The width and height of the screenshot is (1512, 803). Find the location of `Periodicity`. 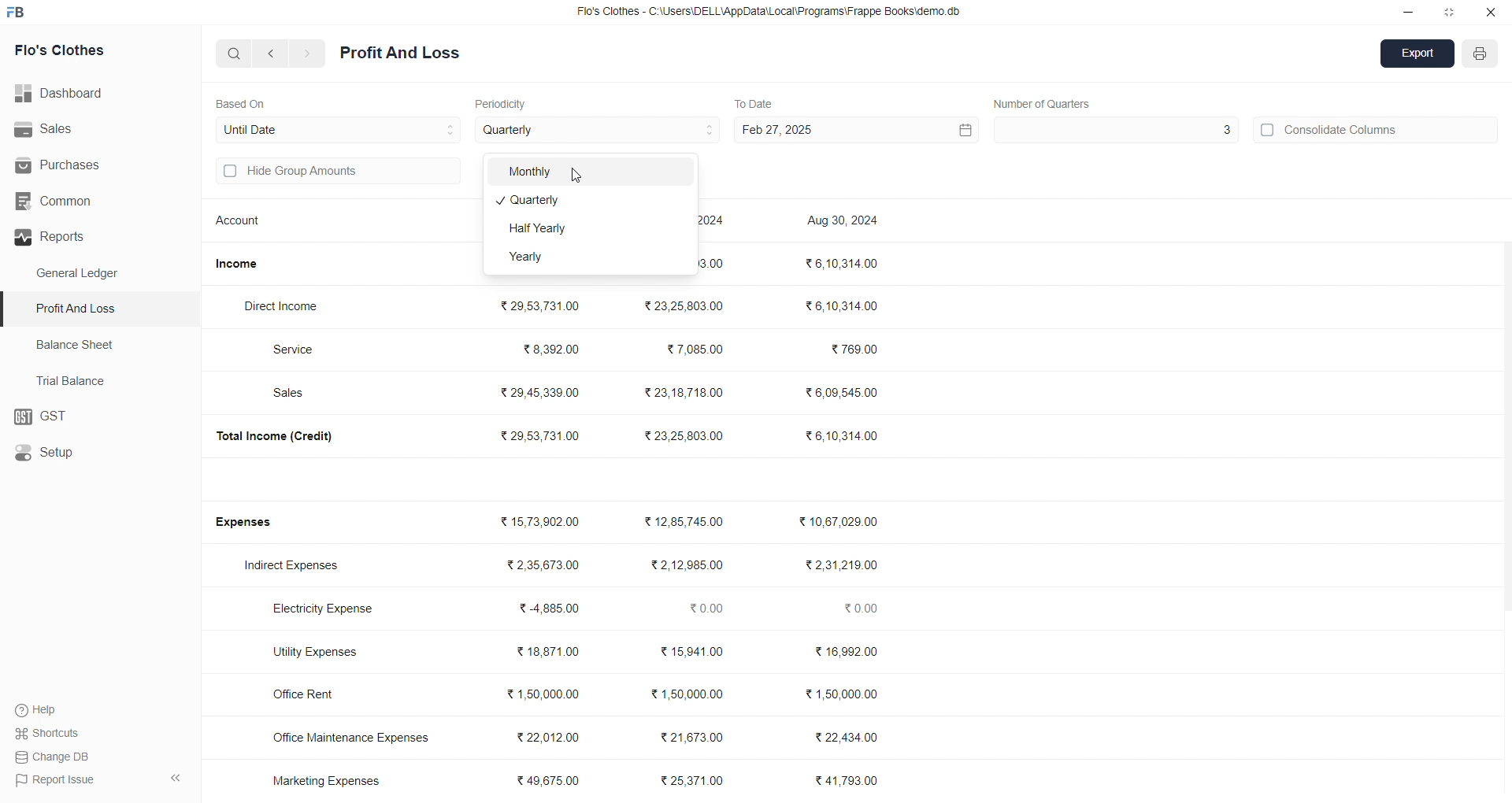

Periodicity is located at coordinates (504, 102).